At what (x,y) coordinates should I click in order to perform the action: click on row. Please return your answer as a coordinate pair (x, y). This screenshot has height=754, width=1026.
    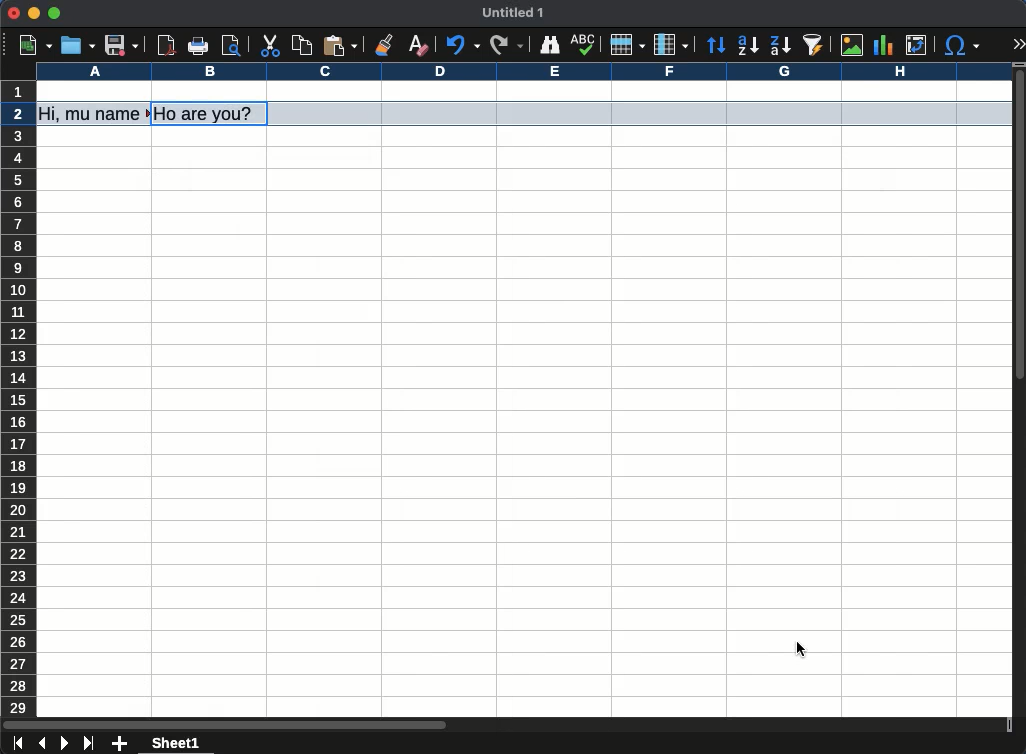
    Looking at the image, I should click on (17, 400).